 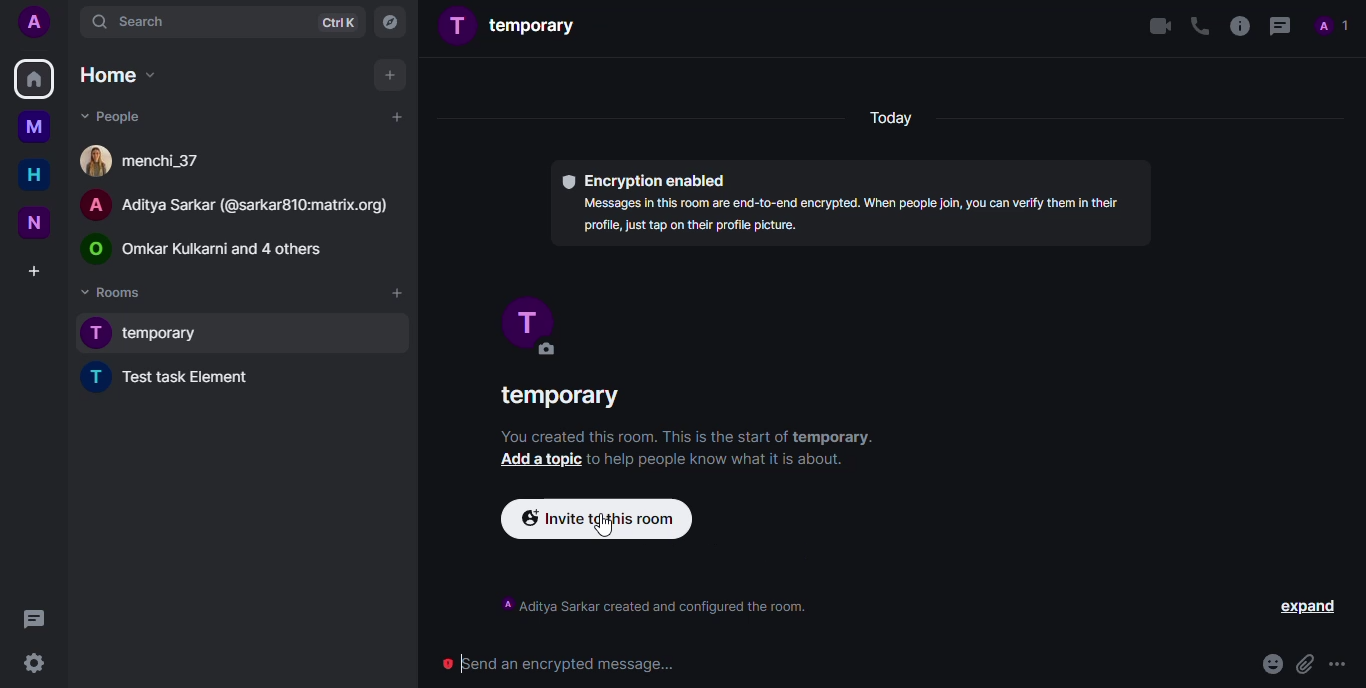 I want to click on invite to this room, so click(x=596, y=520).